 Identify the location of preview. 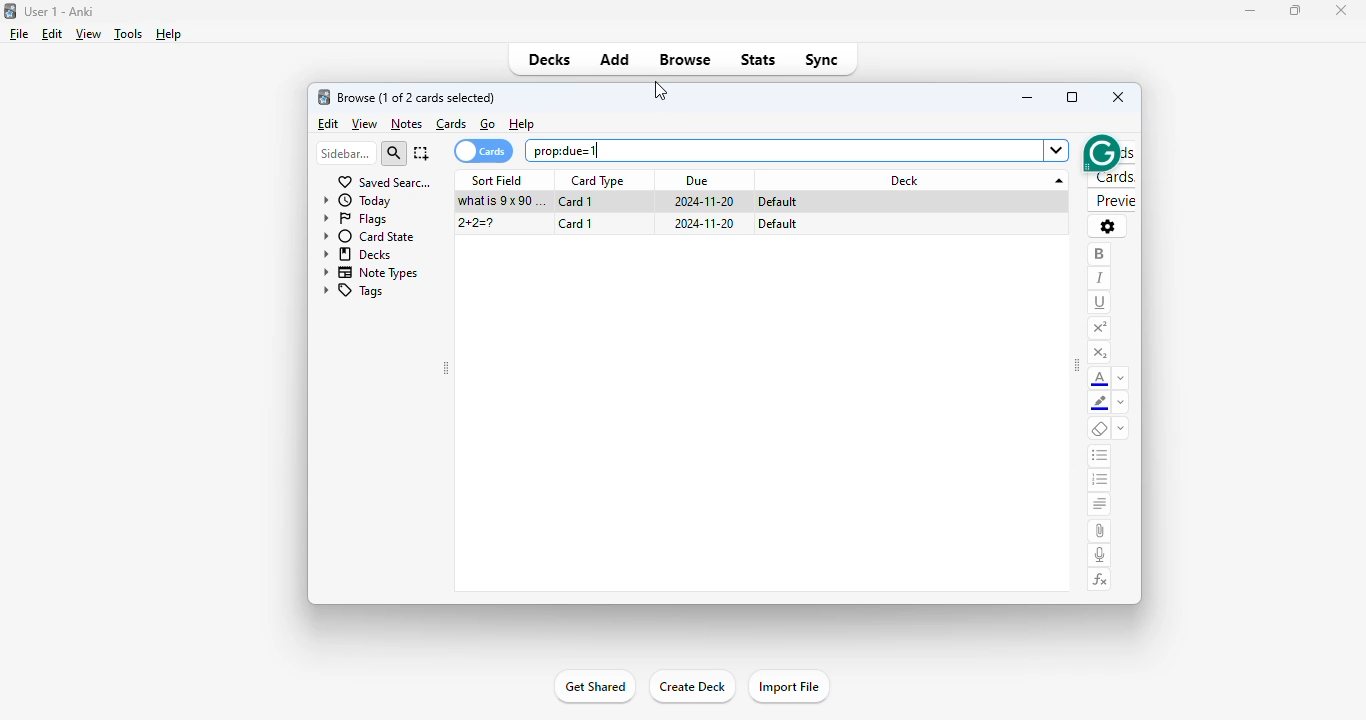
(1112, 200).